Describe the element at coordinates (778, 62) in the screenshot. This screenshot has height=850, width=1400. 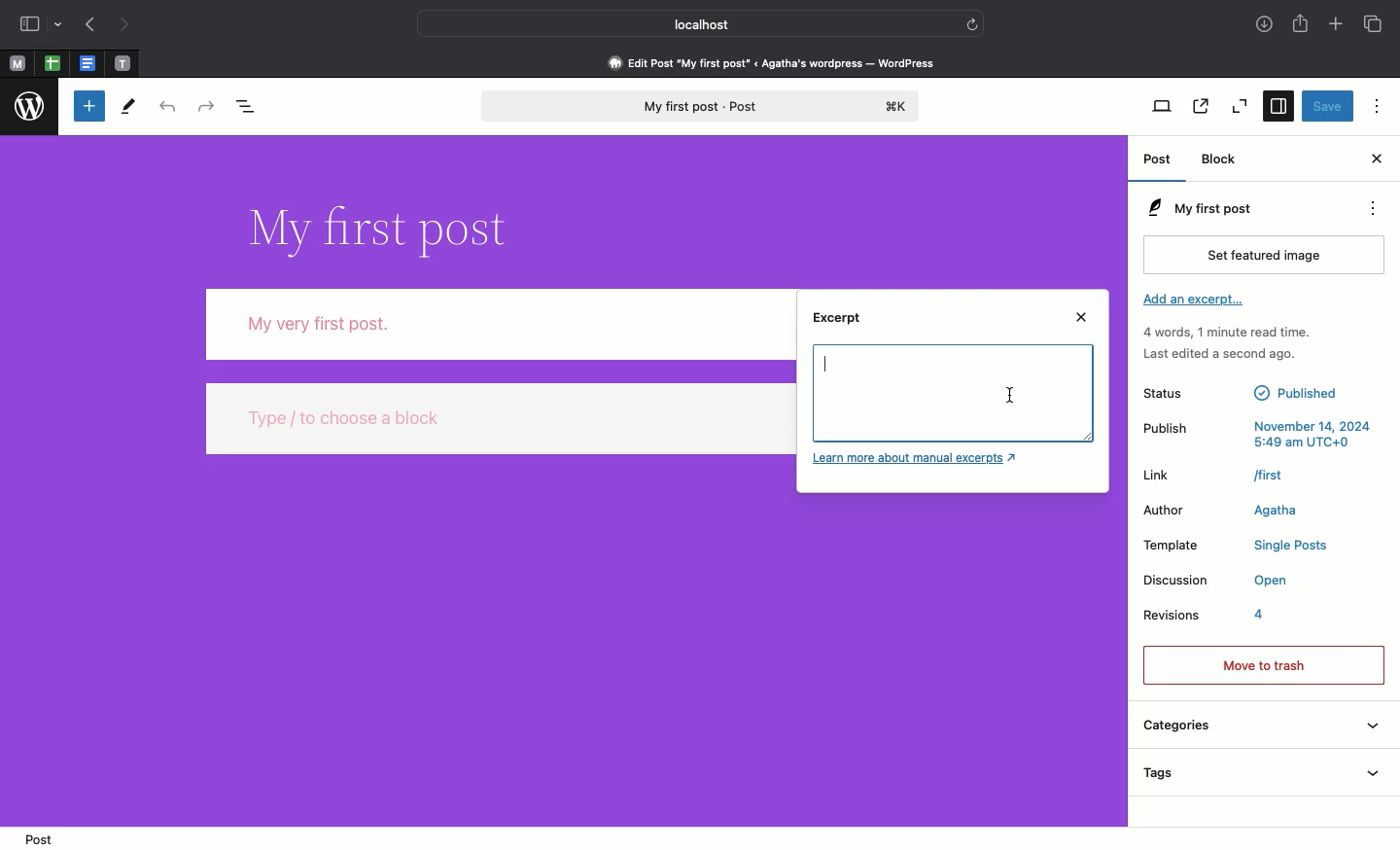
I see `Edit Post "My first post” « Agatha's wordpress — WordPress` at that location.